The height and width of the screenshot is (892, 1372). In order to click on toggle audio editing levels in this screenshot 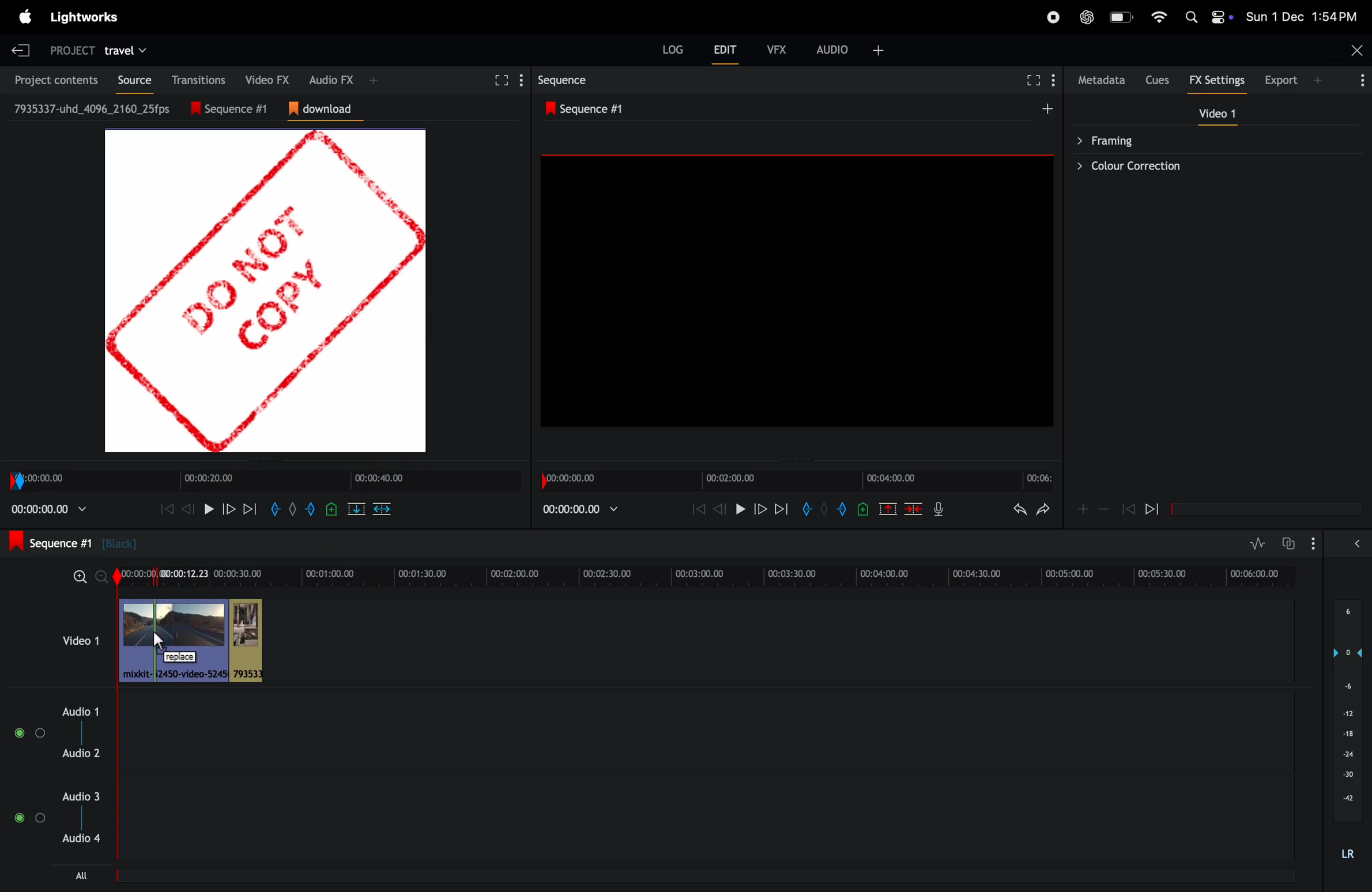, I will do `click(1257, 543)`.